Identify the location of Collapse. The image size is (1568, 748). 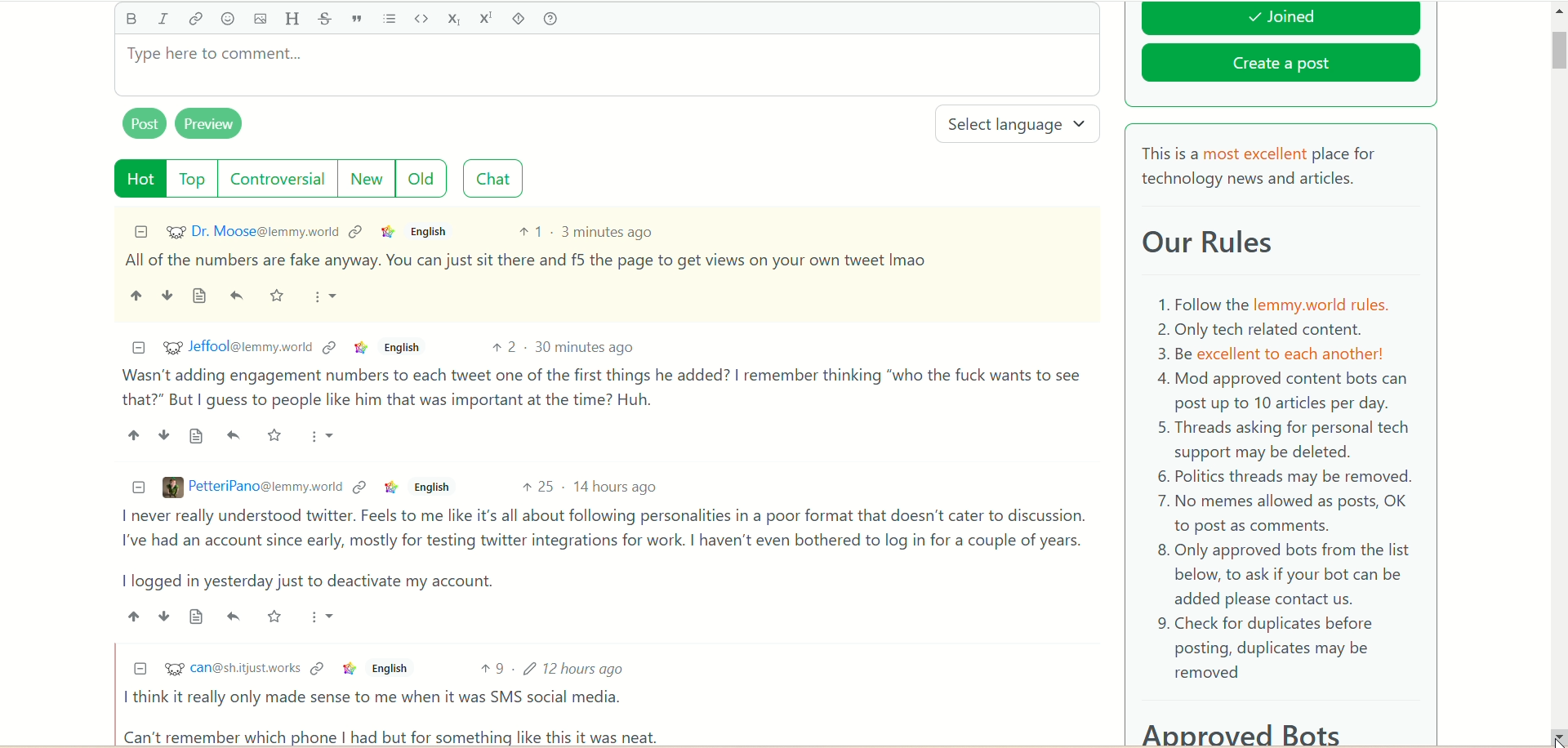
(140, 667).